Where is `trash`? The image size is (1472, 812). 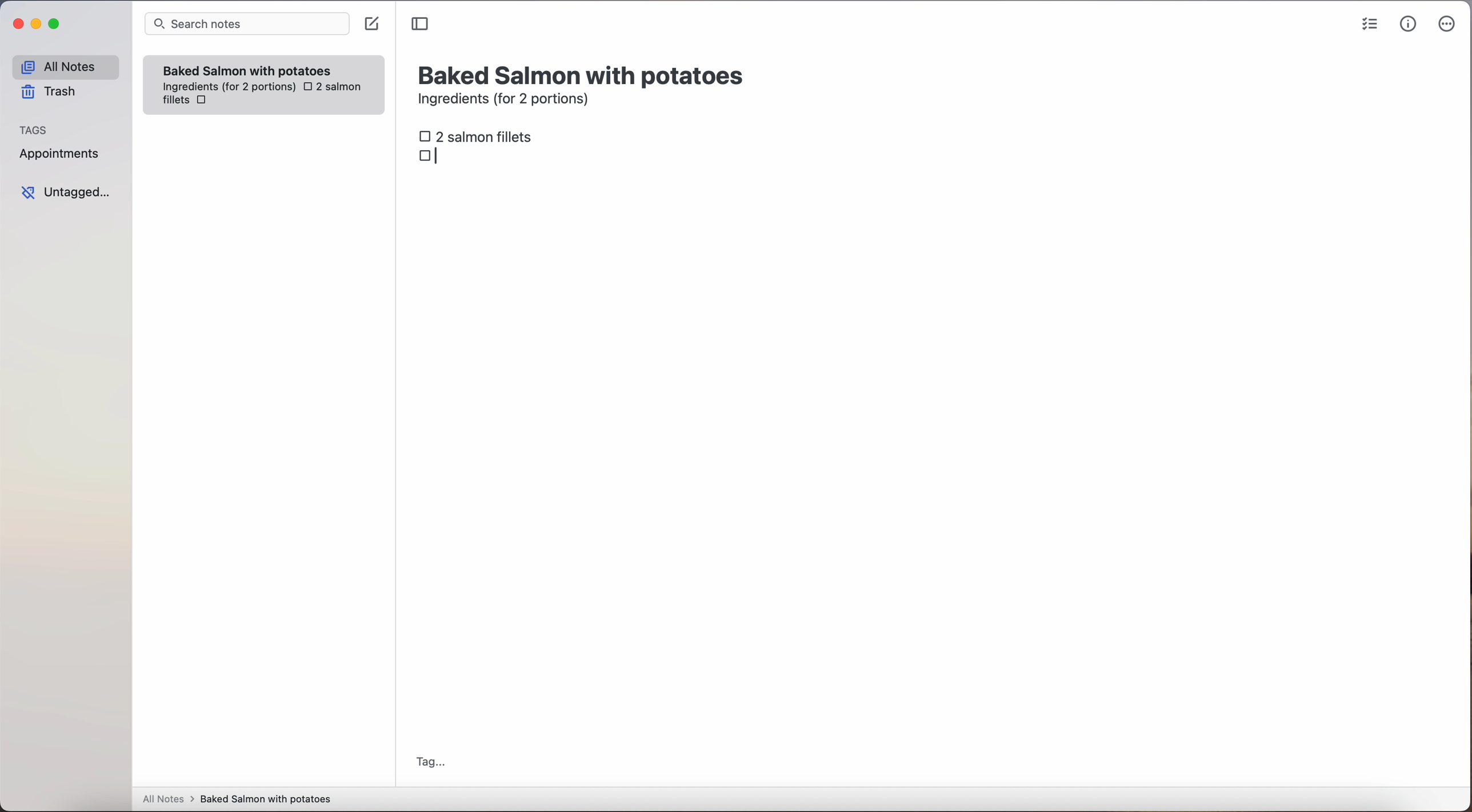
trash is located at coordinates (53, 92).